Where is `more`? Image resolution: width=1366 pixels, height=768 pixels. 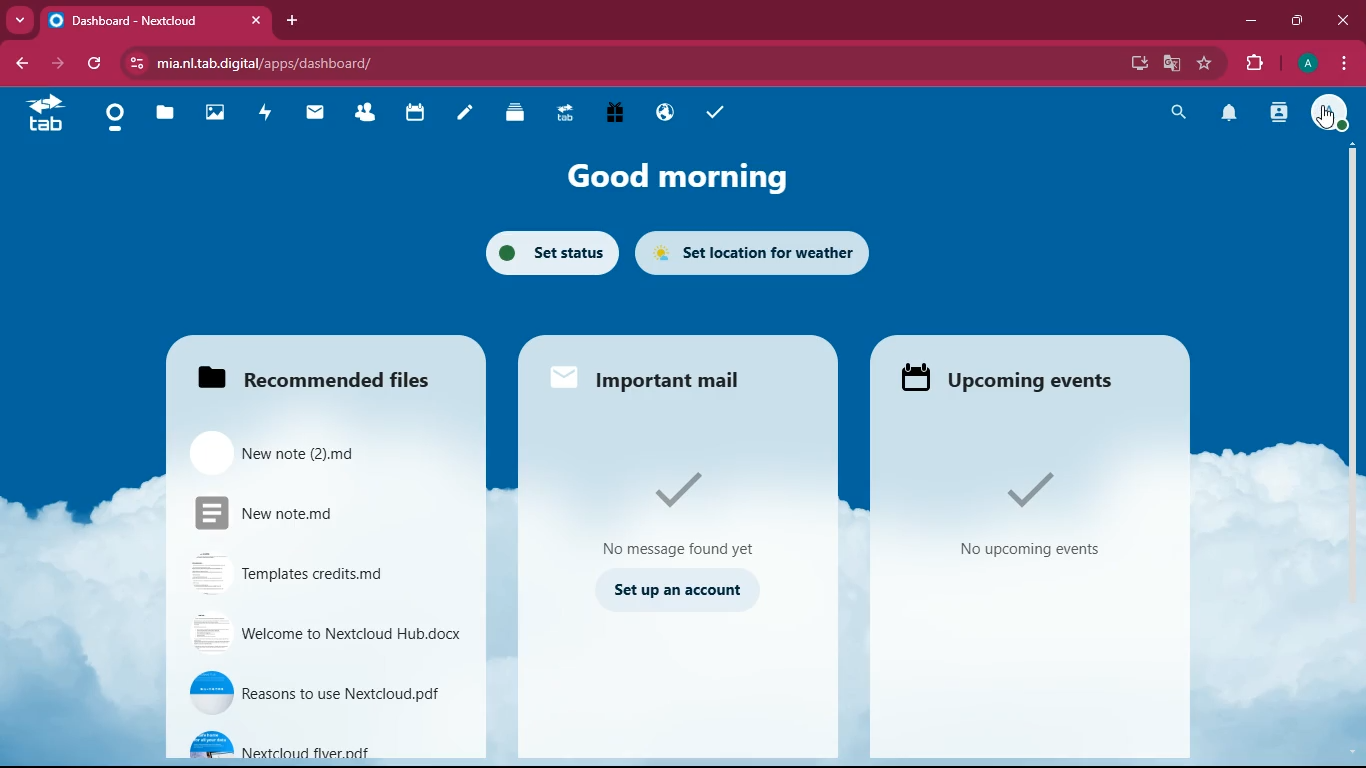
more is located at coordinates (17, 20).